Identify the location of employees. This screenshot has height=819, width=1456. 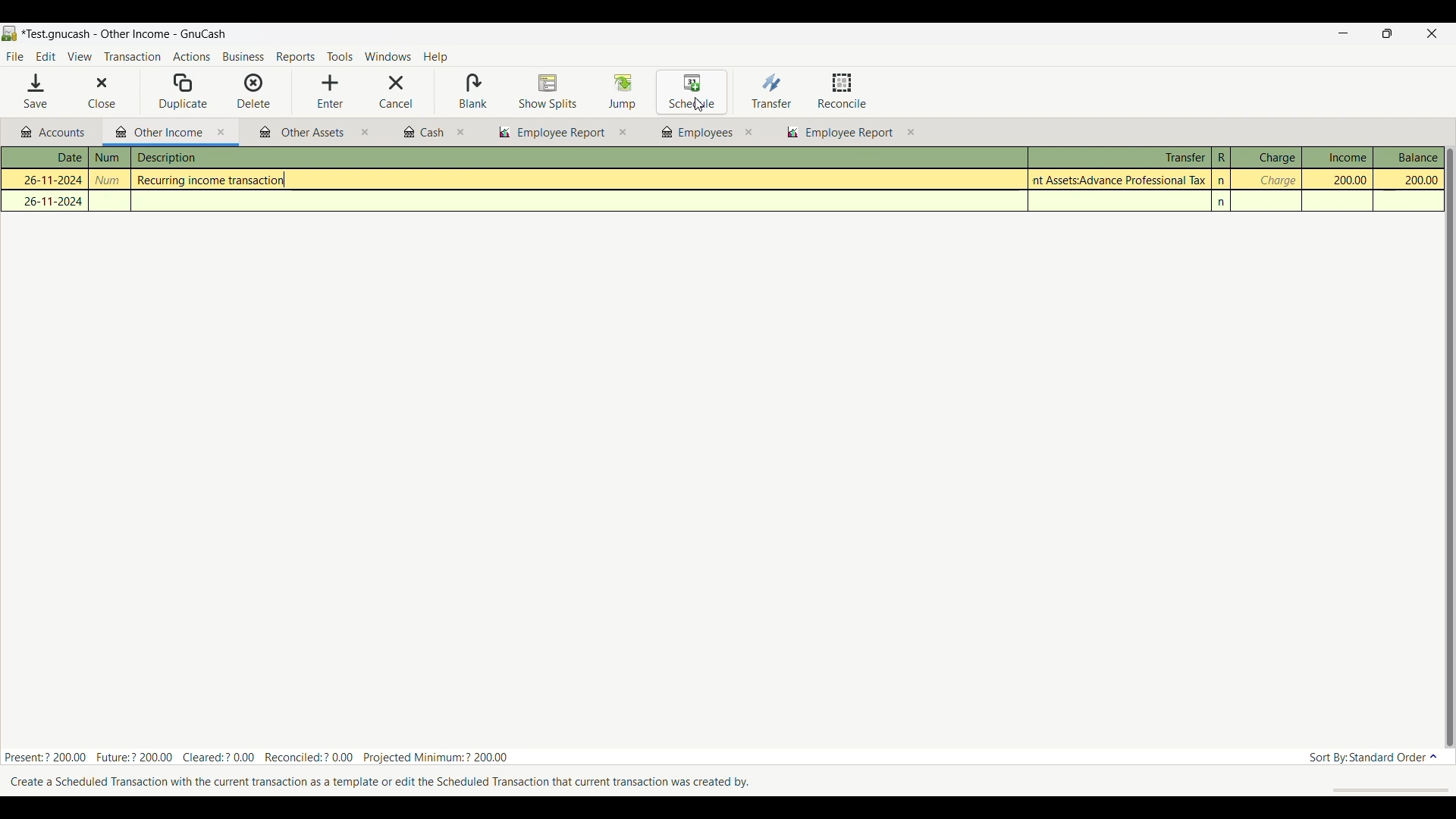
(695, 133).